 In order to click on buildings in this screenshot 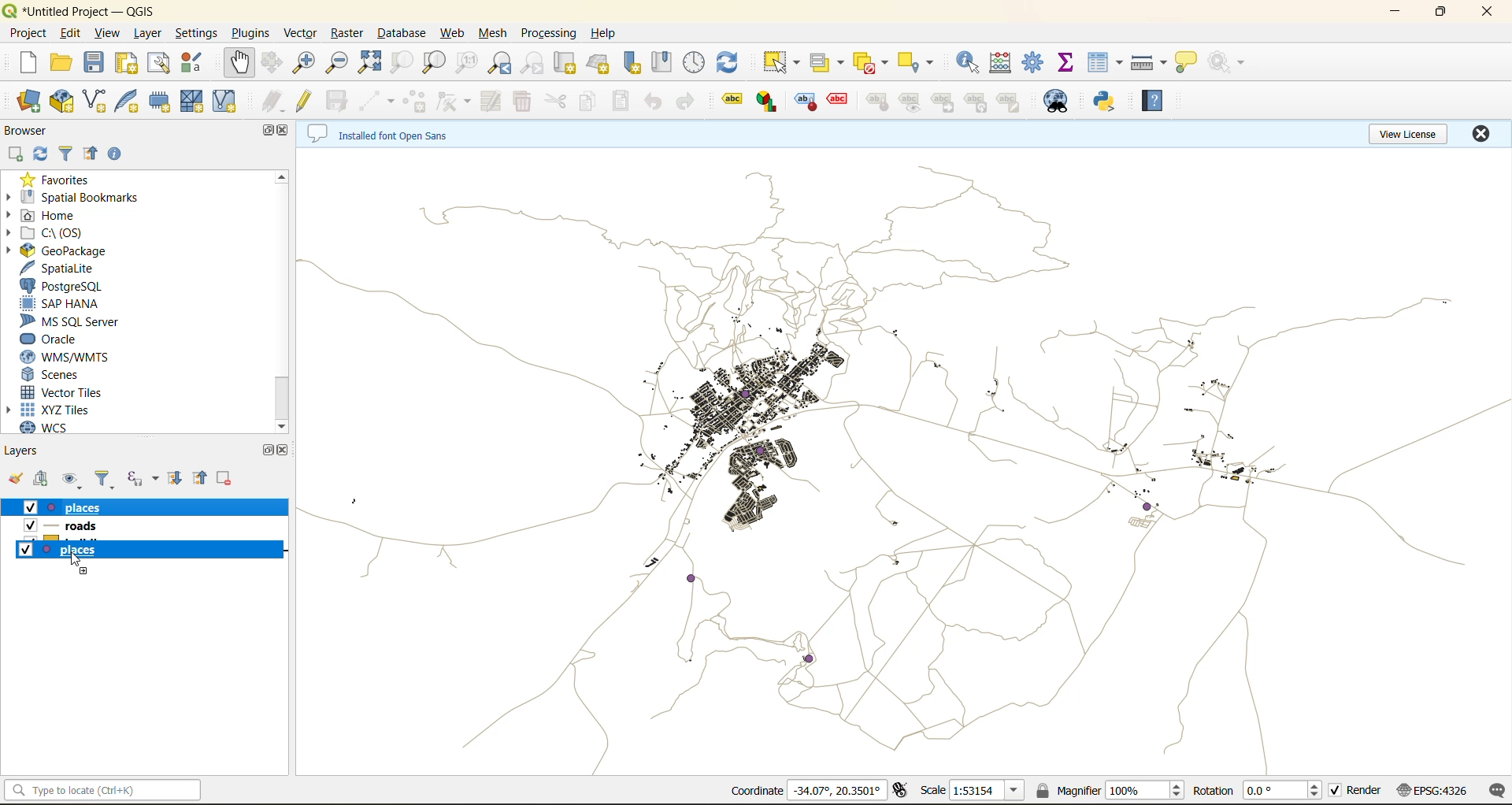, I will do `click(148, 550)`.